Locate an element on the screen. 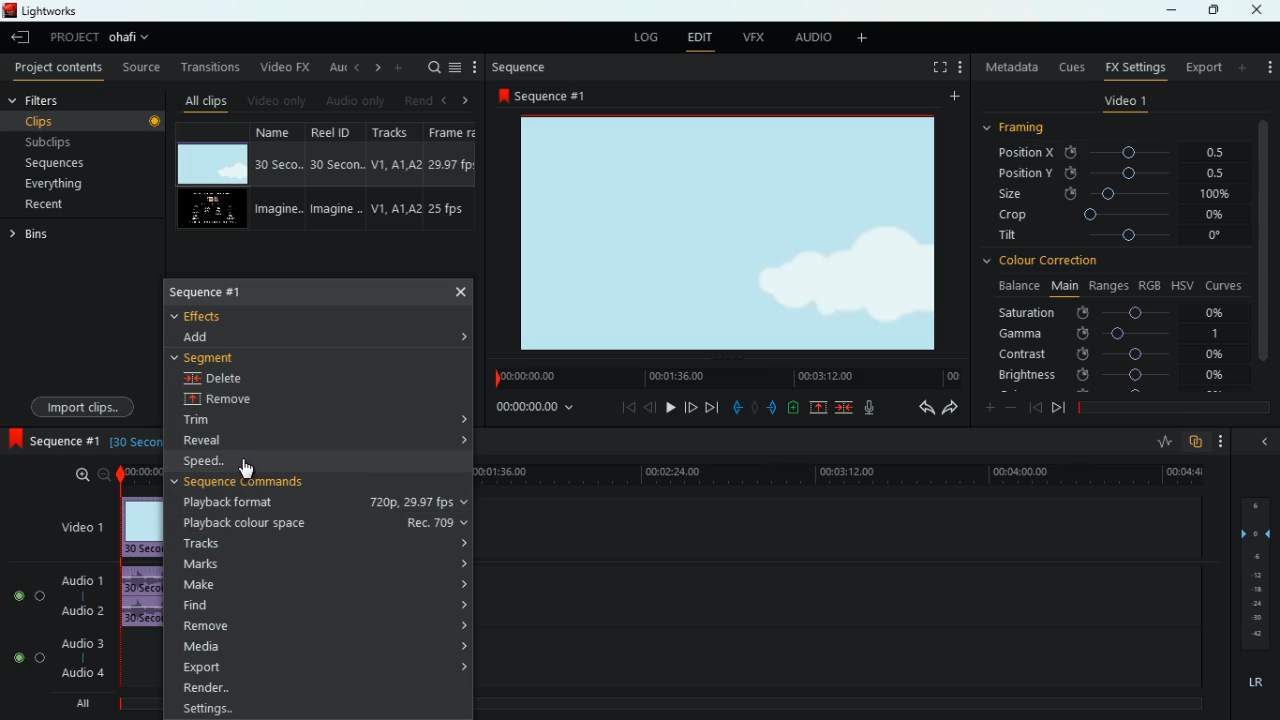 Image resolution: width=1280 pixels, height=720 pixels. expand is located at coordinates (461, 645).